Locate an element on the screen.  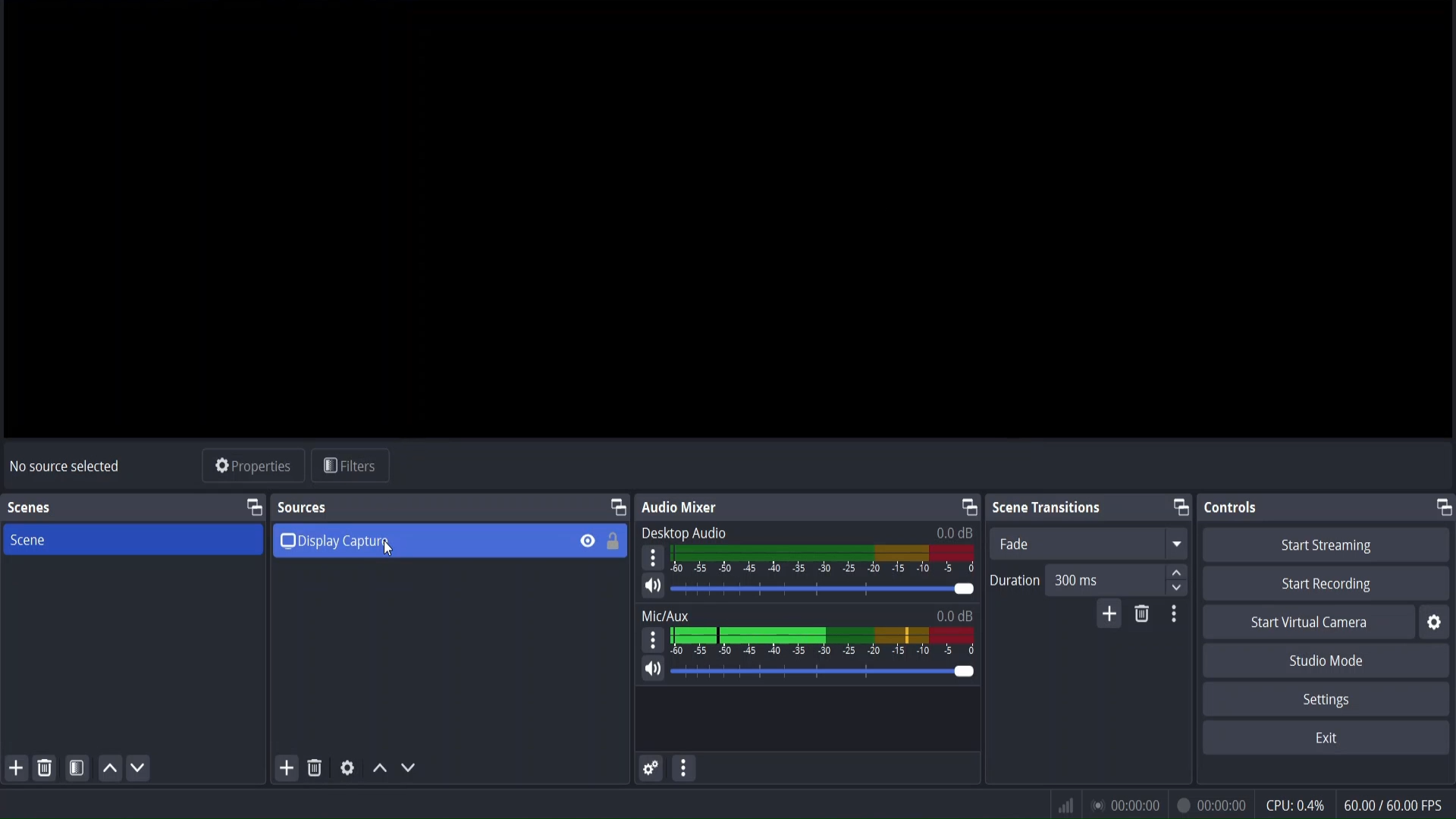
transition properties is located at coordinates (1175, 613).